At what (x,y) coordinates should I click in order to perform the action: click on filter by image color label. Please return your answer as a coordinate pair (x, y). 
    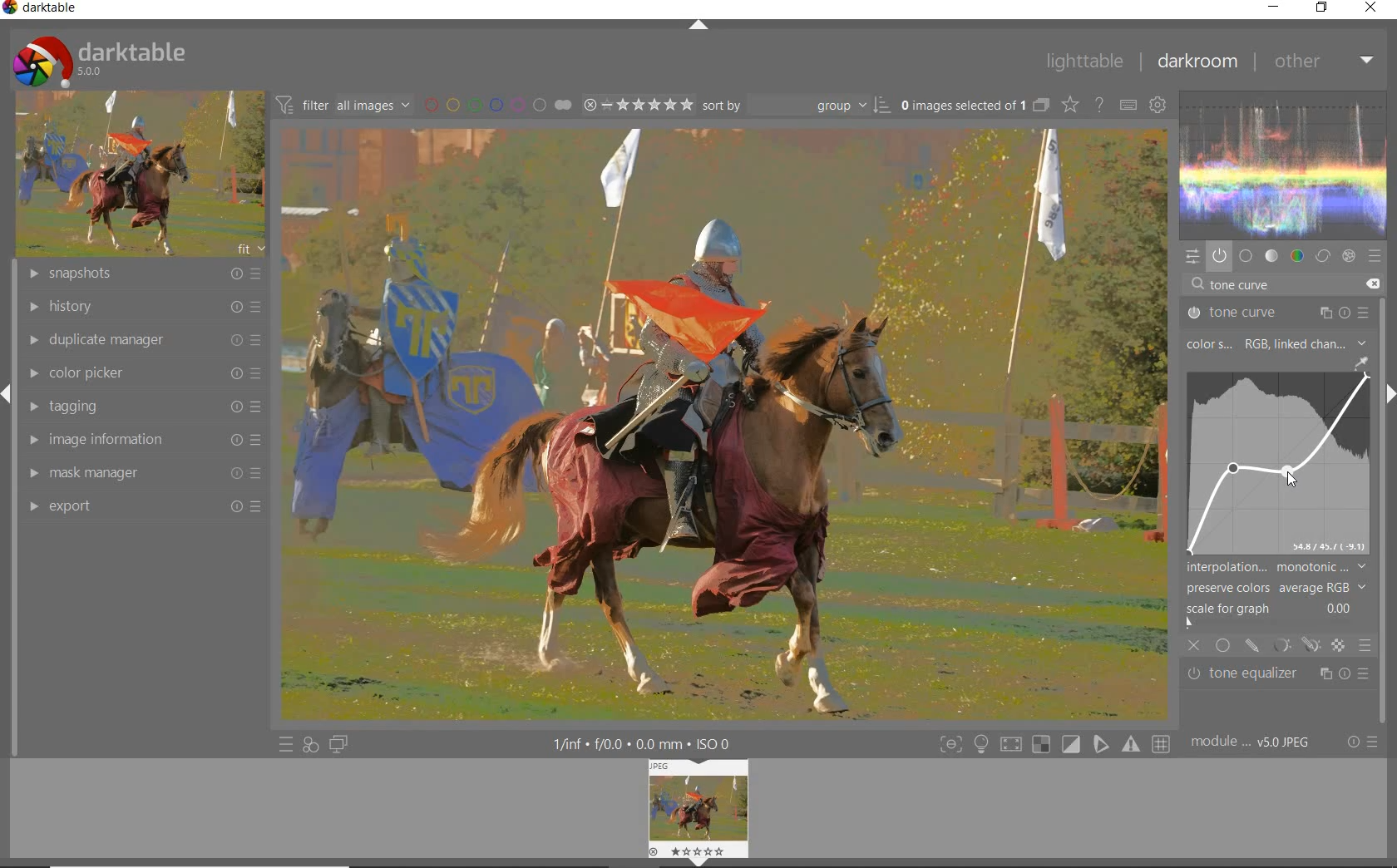
    Looking at the image, I should click on (496, 104).